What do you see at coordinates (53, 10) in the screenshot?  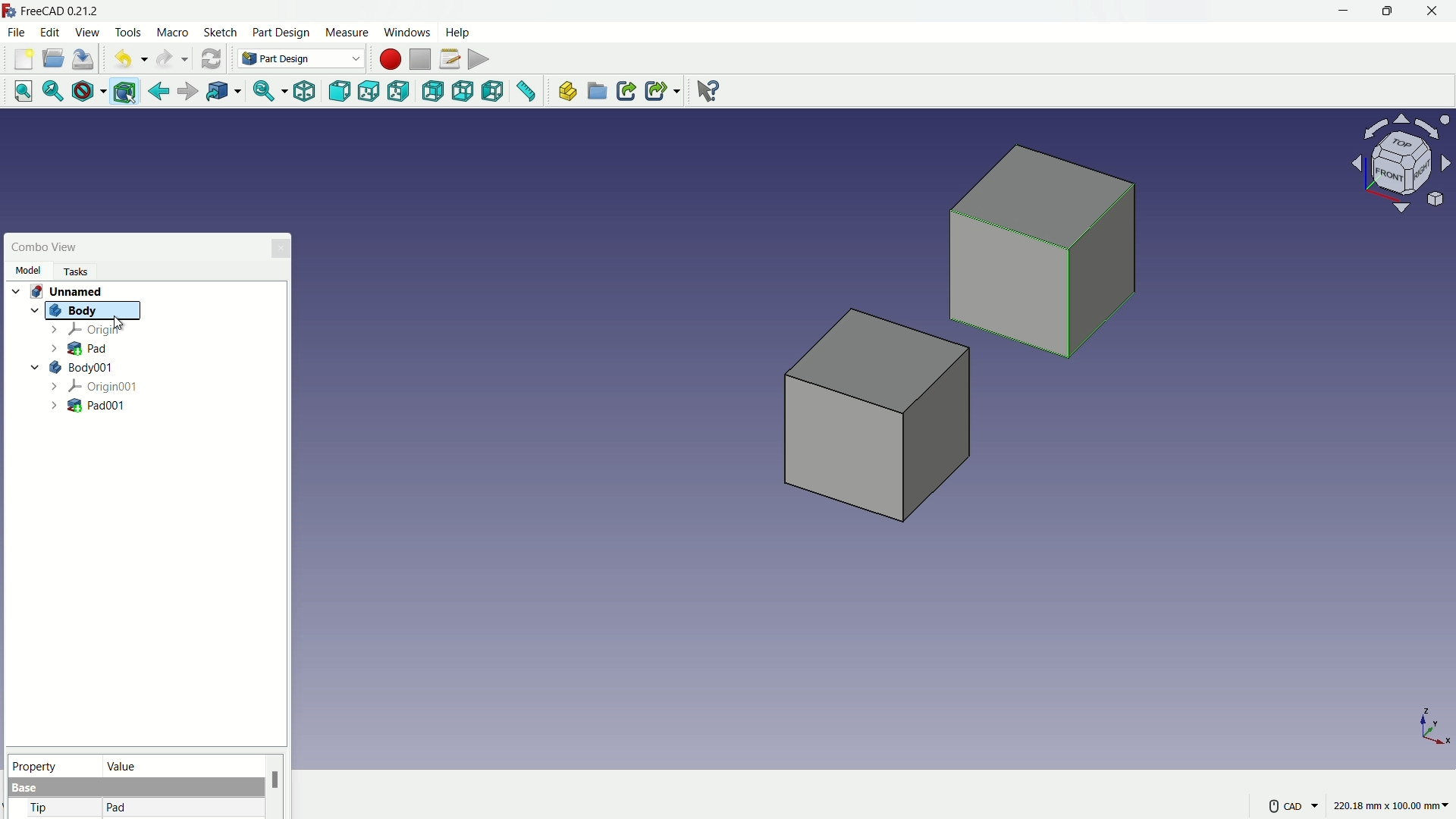 I see `FreeCAD 0.21.2` at bounding box center [53, 10].